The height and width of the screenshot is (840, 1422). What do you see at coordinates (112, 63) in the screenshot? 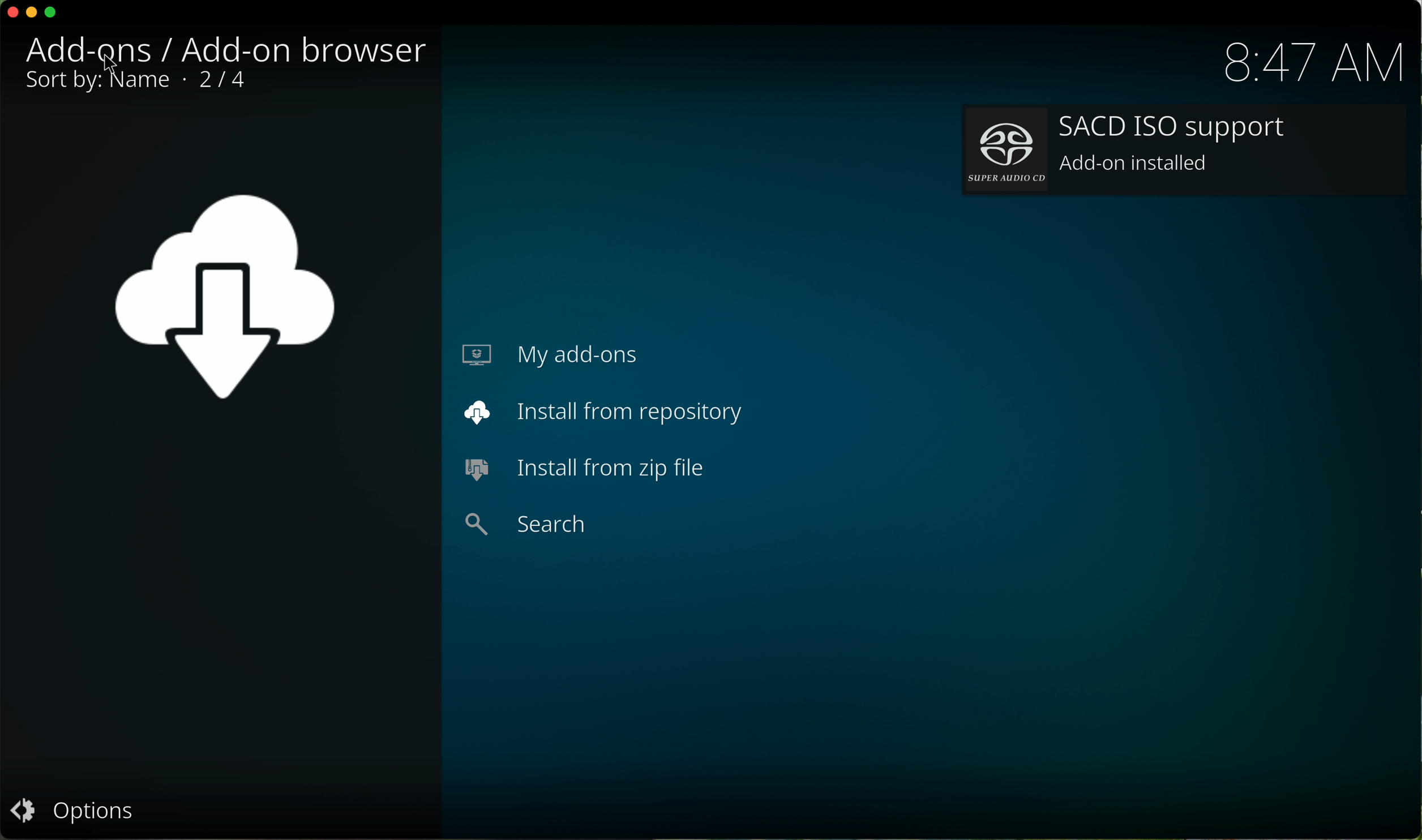
I see `mouse` at bounding box center [112, 63].